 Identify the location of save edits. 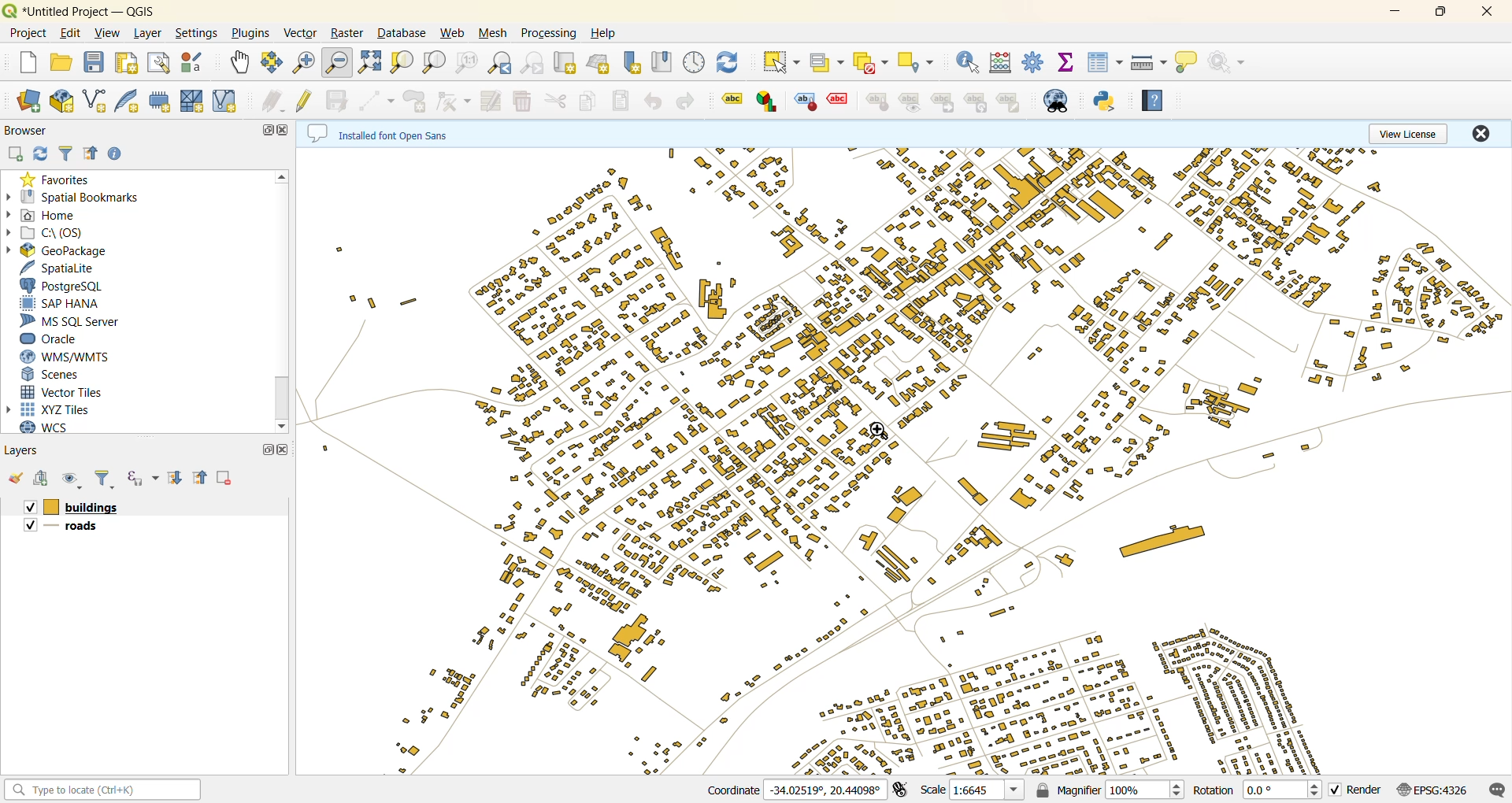
(339, 101).